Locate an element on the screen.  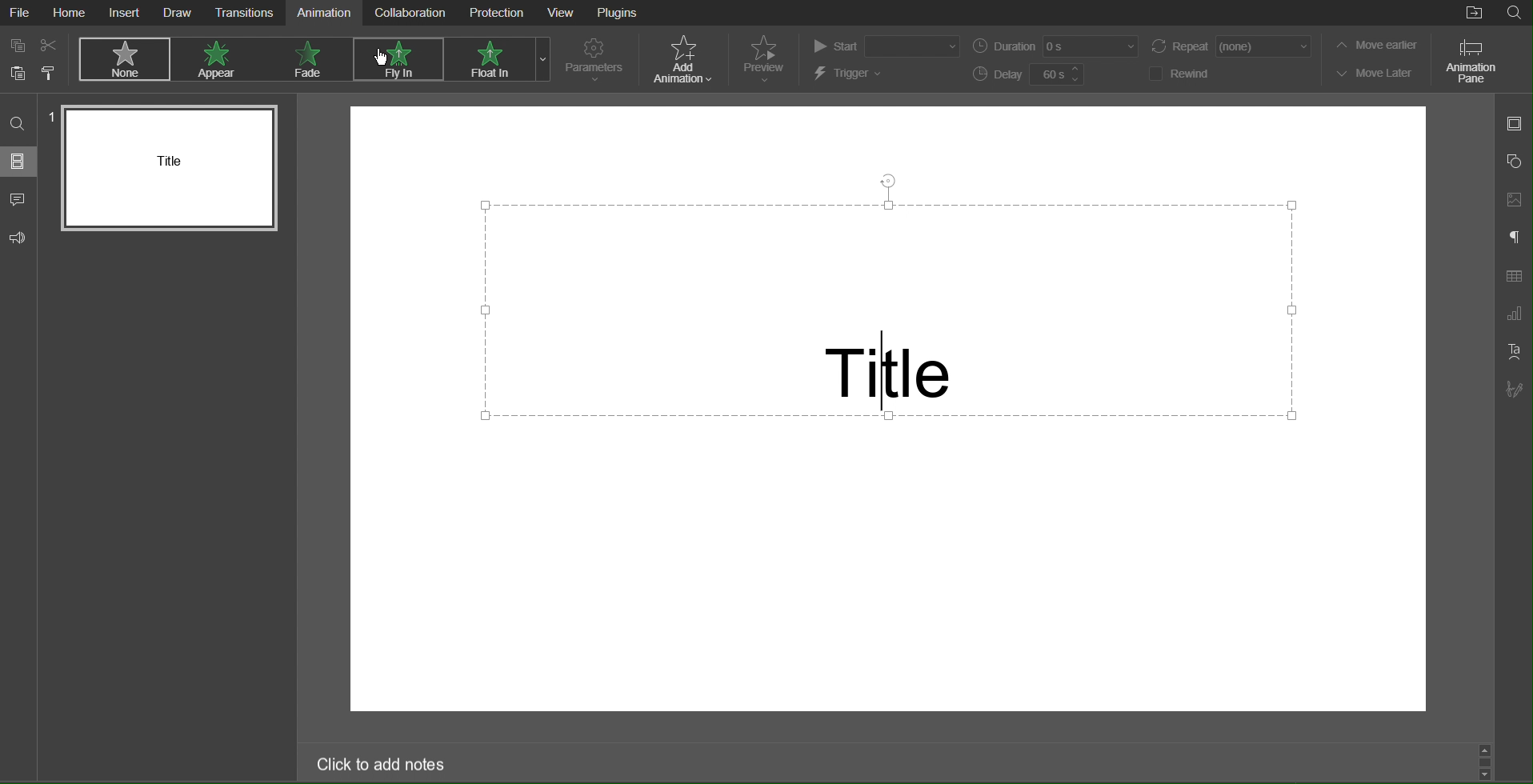
Float In is located at coordinates (488, 59).